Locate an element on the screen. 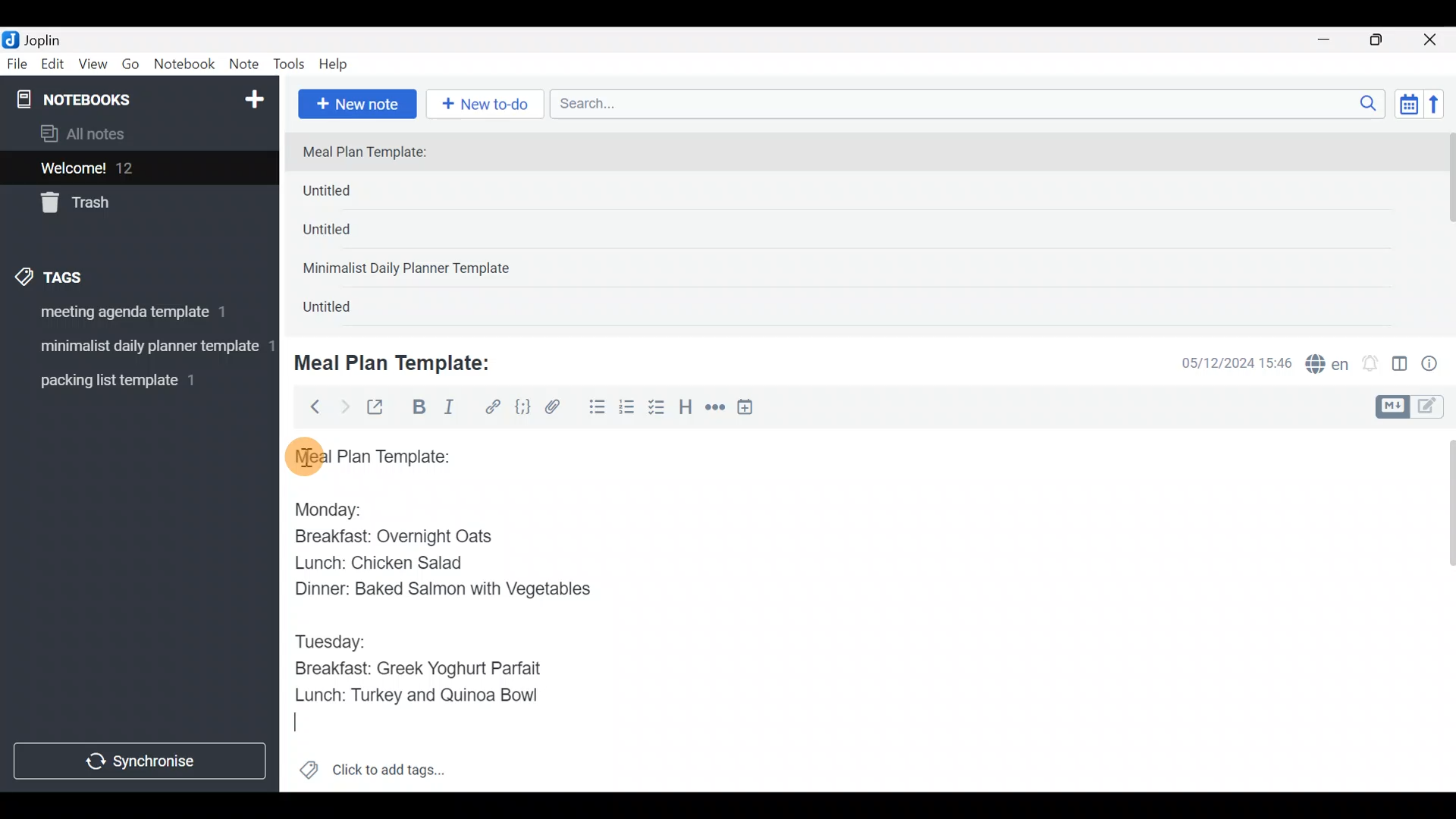 The height and width of the screenshot is (819, 1456). Toggle editors is located at coordinates (1414, 405).